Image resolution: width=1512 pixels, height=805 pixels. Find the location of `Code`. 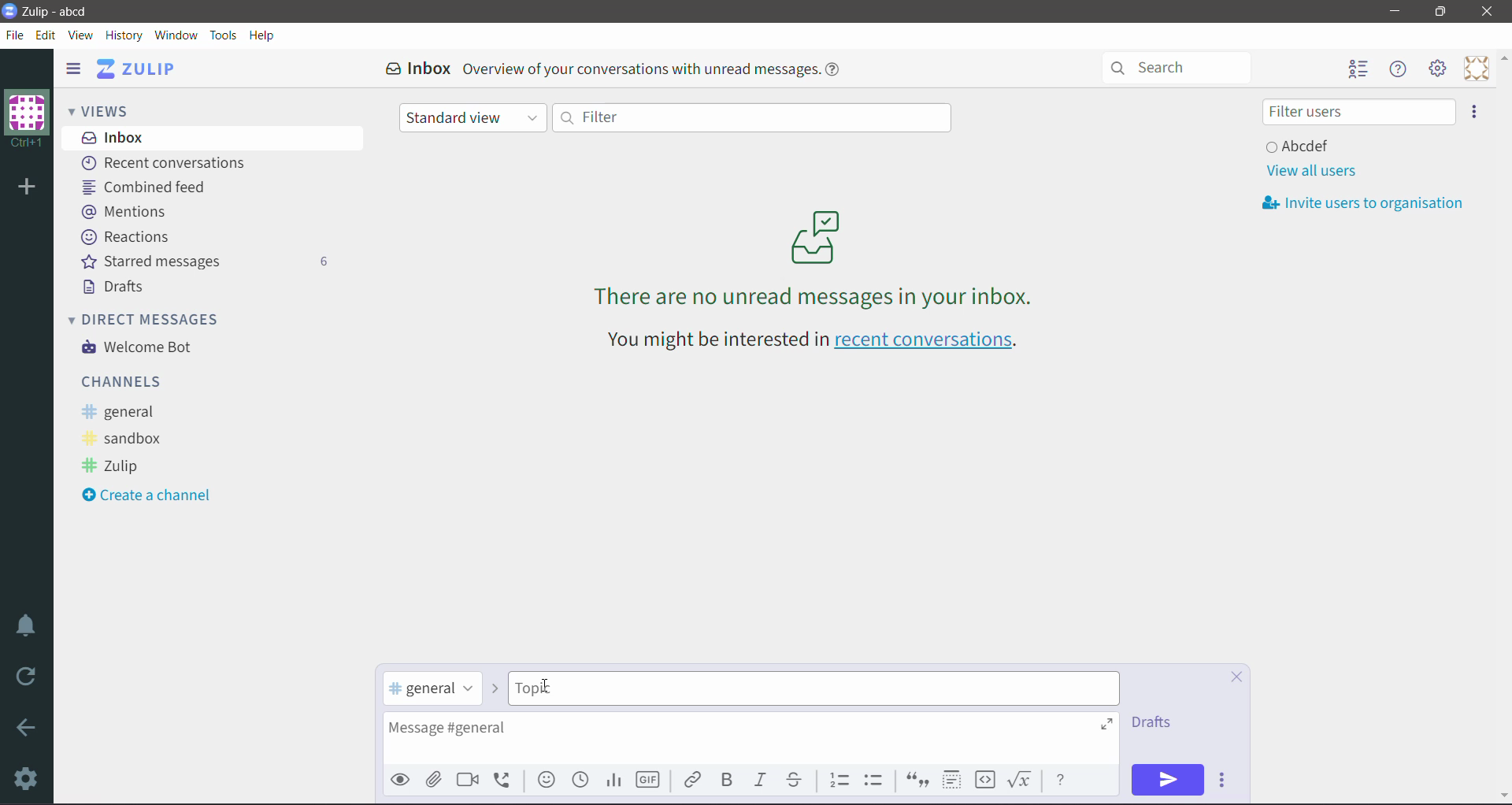

Code is located at coordinates (985, 781).